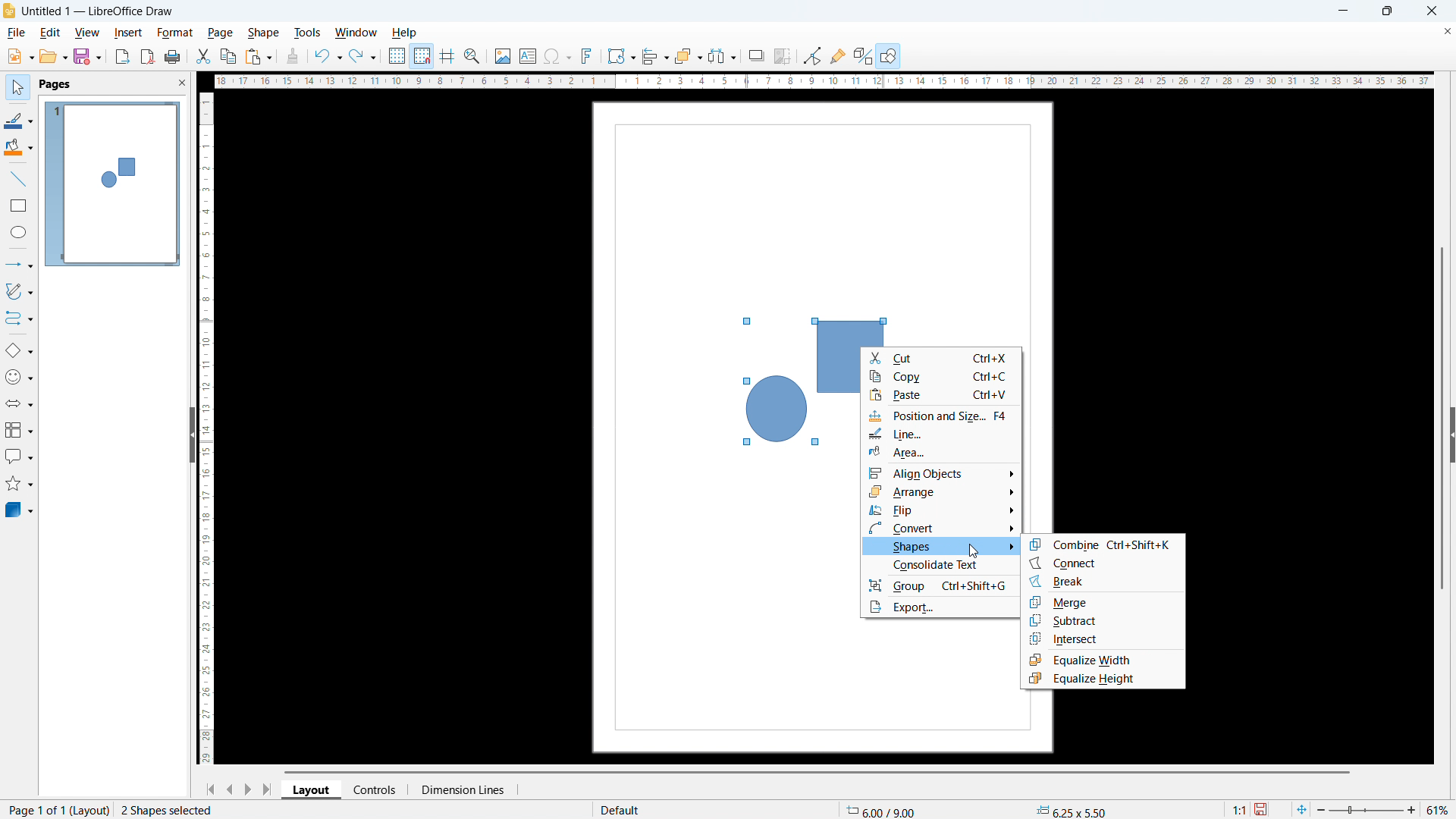 The image size is (1456, 819). Describe the element at coordinates (1447, 30) in the screenshot. I see `close document` at that location.